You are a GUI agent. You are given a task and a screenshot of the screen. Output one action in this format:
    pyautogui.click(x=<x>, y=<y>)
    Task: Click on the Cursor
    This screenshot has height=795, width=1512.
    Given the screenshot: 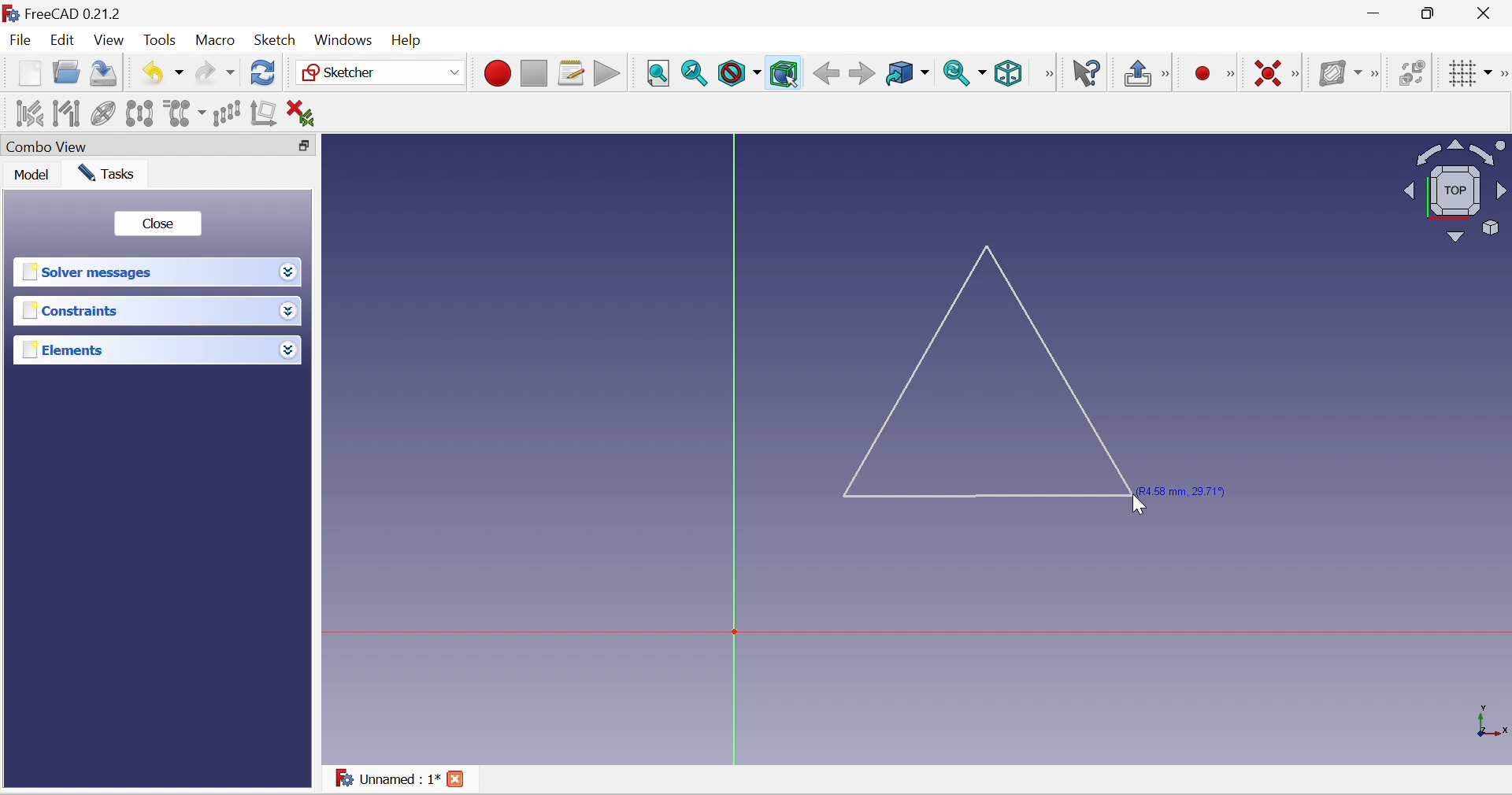 What is the action you would take?
    pyautogui.click(x=1139, y=505)
    